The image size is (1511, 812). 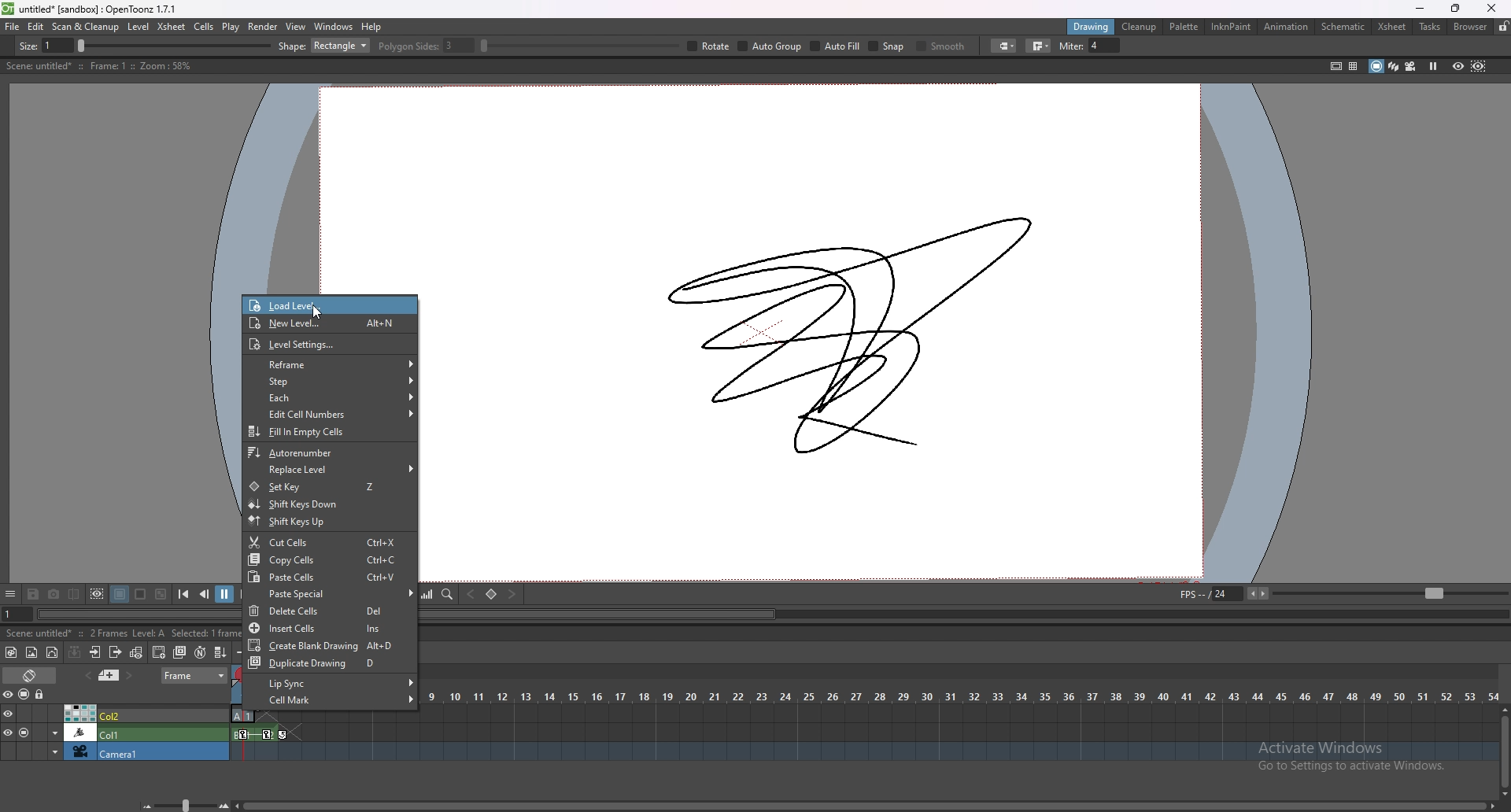 I want to click on browser, so click(x=1471, y=27).